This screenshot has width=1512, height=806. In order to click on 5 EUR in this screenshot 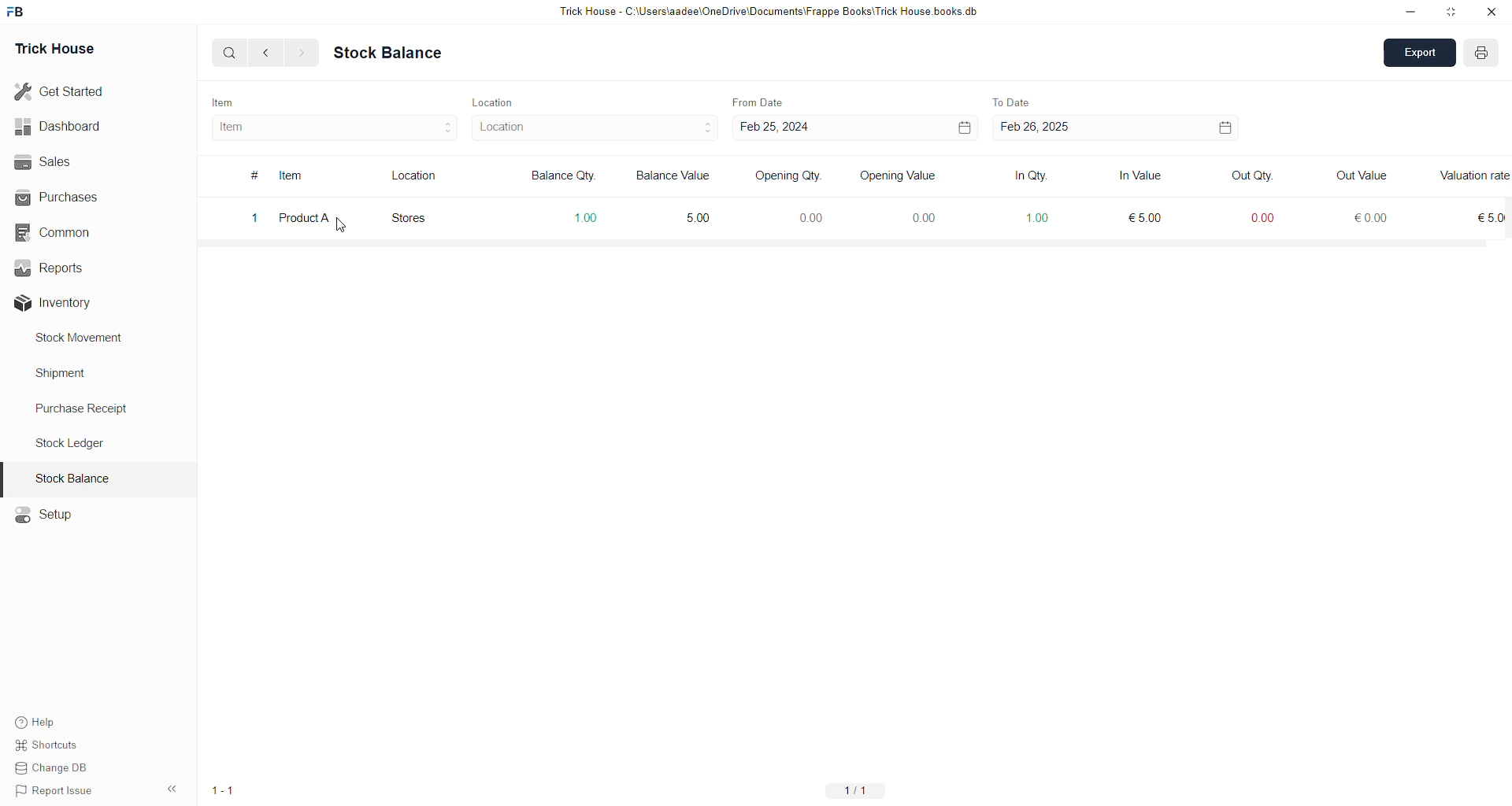, I will do `click(1139, 218)`.